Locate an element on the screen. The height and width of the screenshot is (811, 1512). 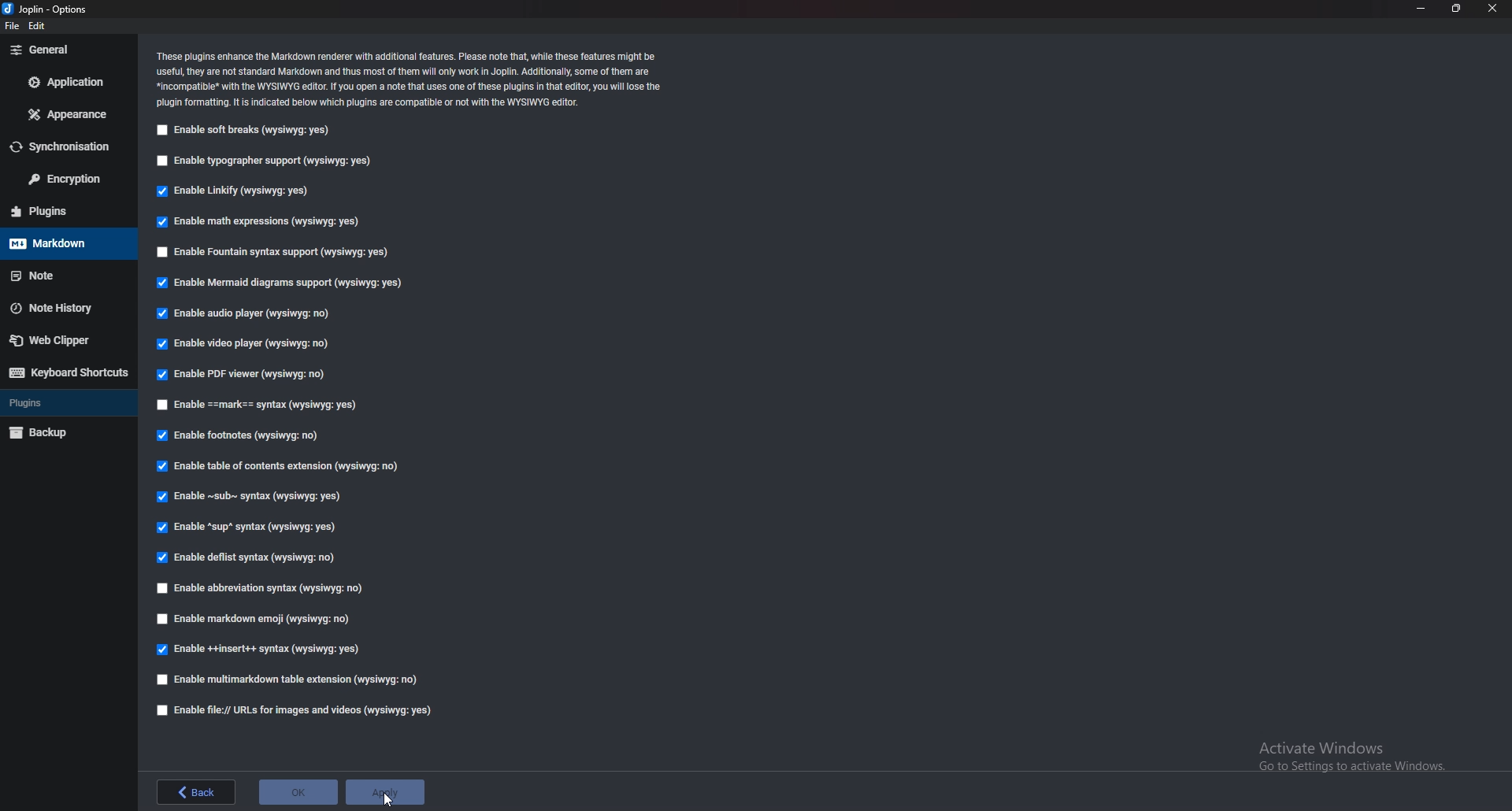
Enable file urls for images and videos is located at coordinates (296, 710).